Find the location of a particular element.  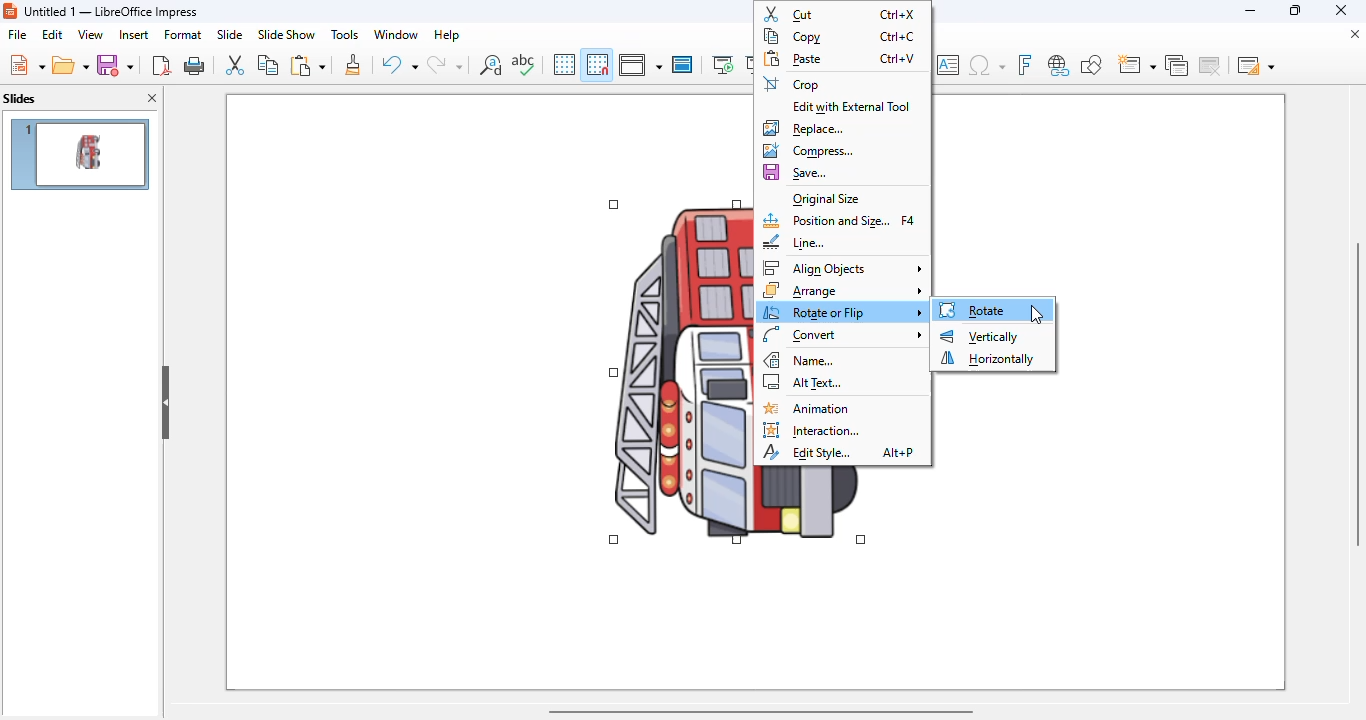

hide is located at coordinates (164, 403).